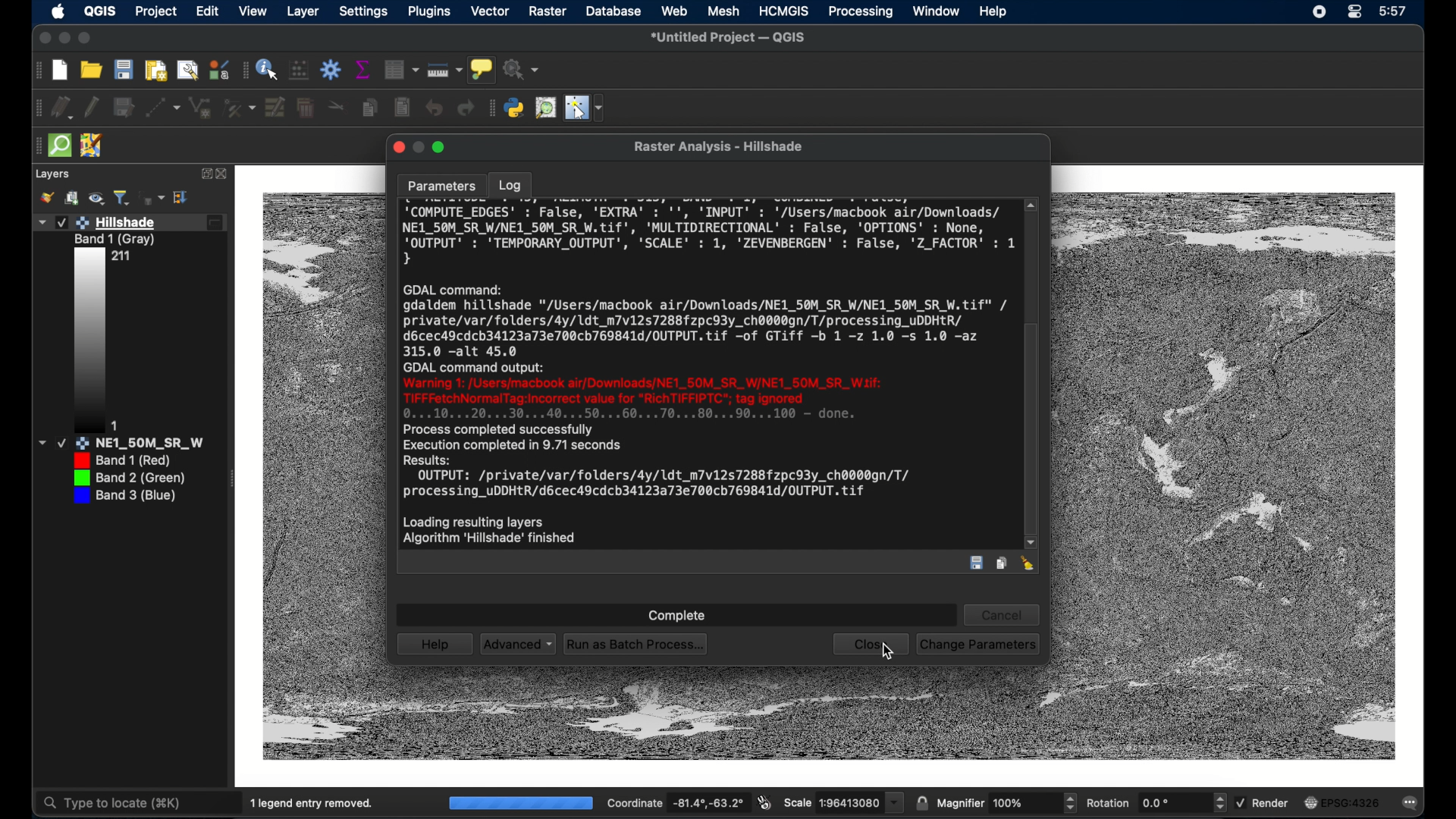 The width and height of the screenshot is (1456, 819). What do you see at coordinates (156, 12) in the screenshot?
I see `project` at bounding box center [156, 12].